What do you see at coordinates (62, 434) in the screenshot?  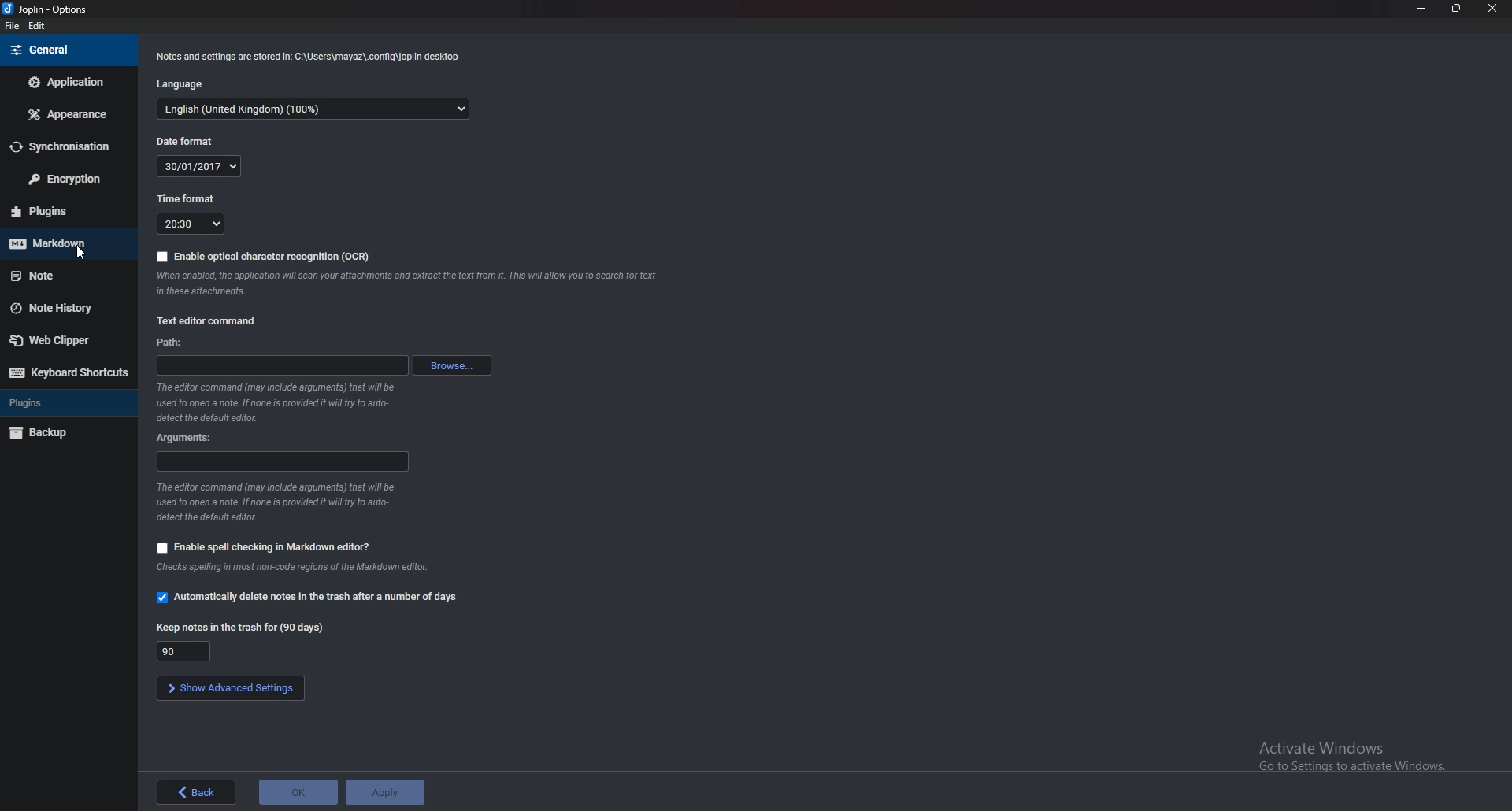 I see `Backup` at bounding box center [62, 434].